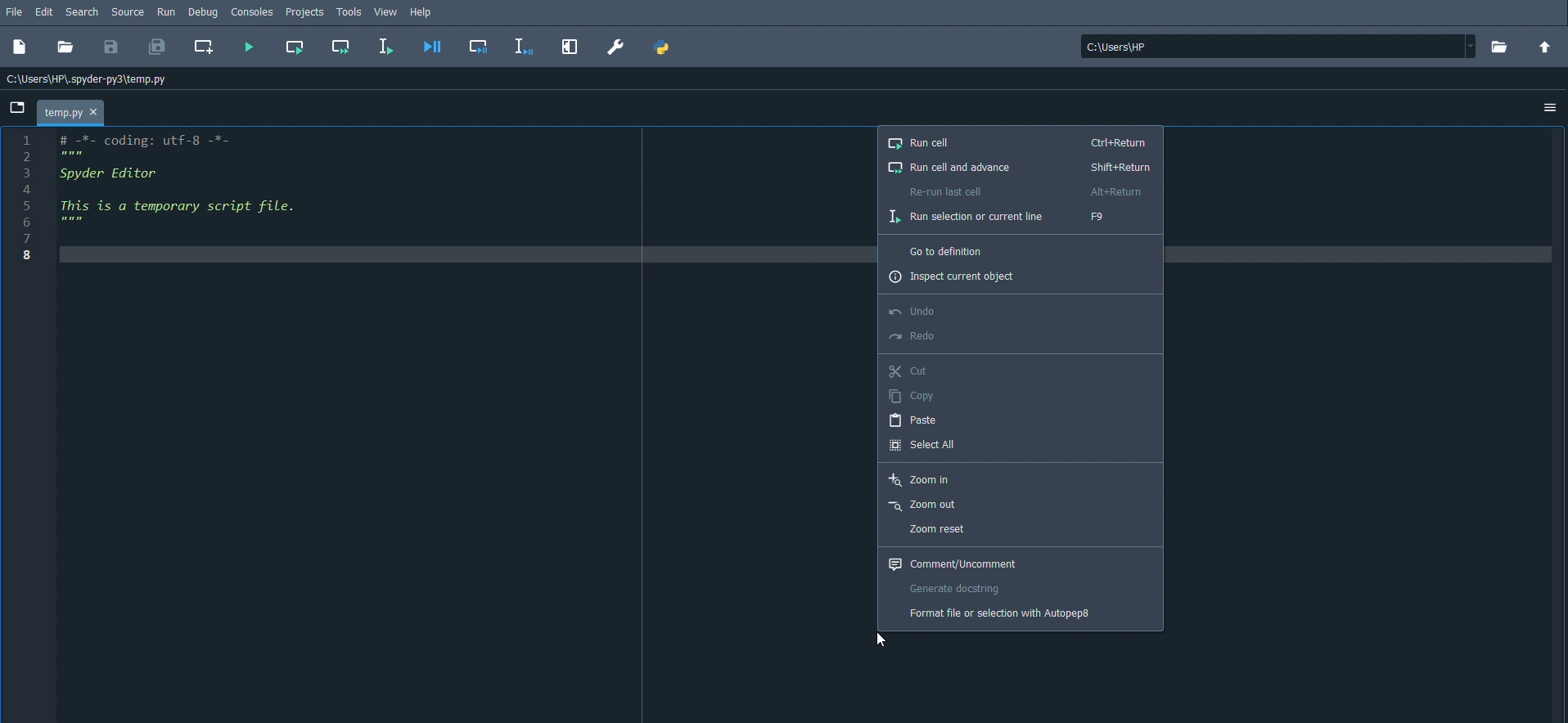 The image size is (1568, 723). What do you see at coordinates (249, 46) in the screenshot?
I see `Run file` at bounding box center [249, 46].